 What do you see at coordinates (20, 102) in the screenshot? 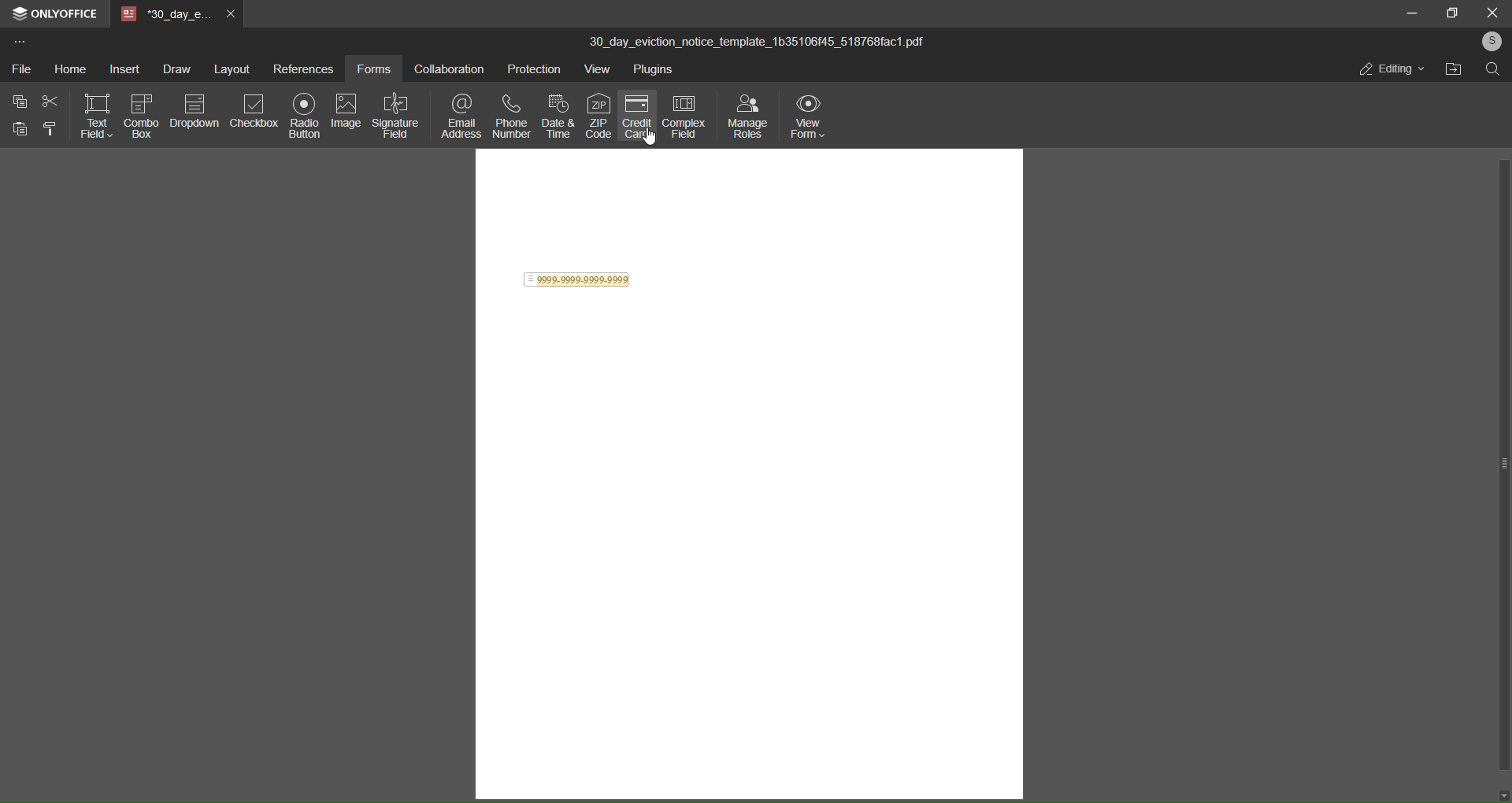
I see `copy` at bounding box center [20, 102].